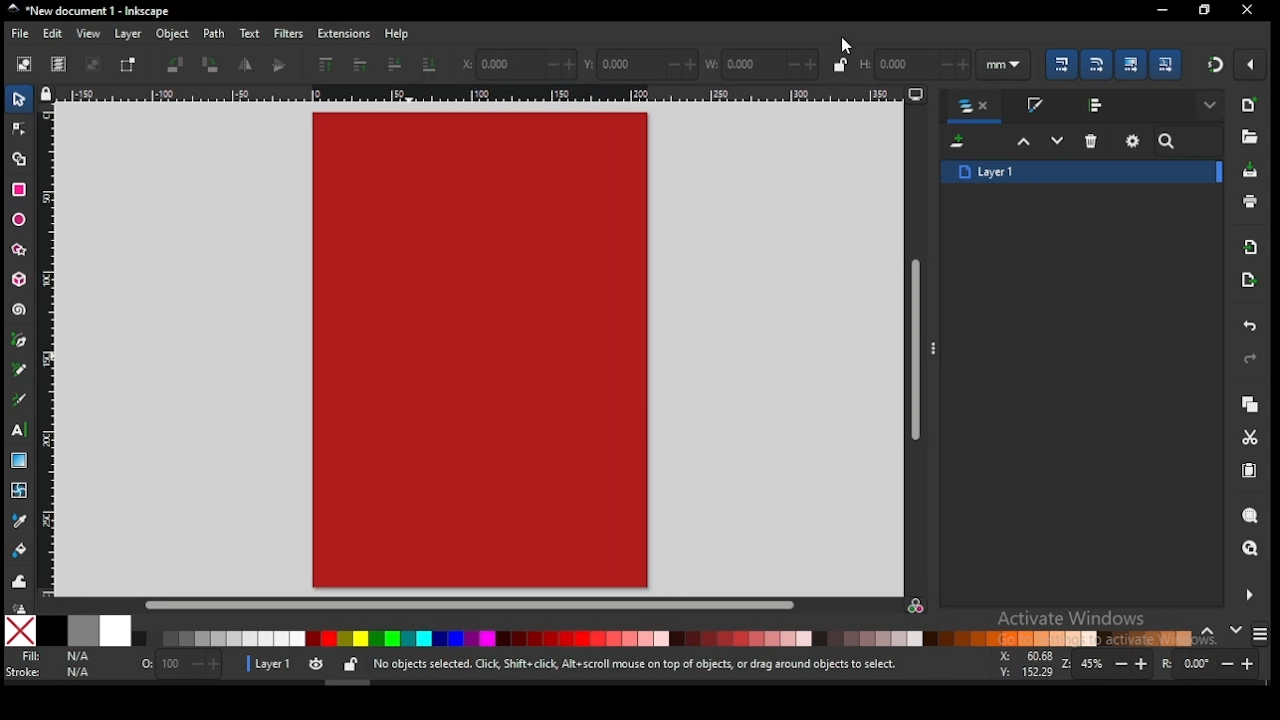 The image size is (1280, 720). I want to click on lower selection one step, so click(1057, 141).